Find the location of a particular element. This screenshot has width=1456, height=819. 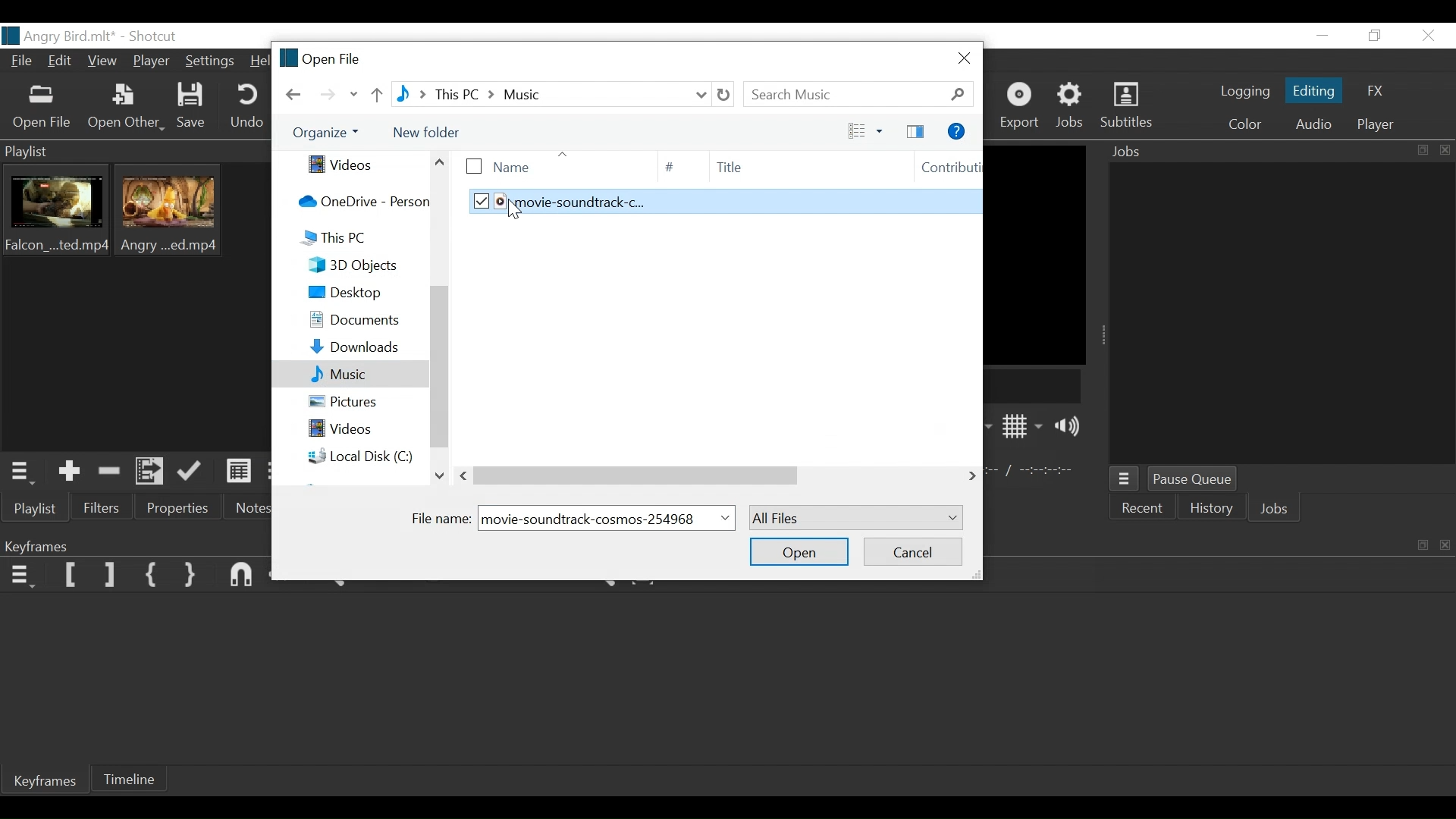

FX is located at coordinates (1380, 89).